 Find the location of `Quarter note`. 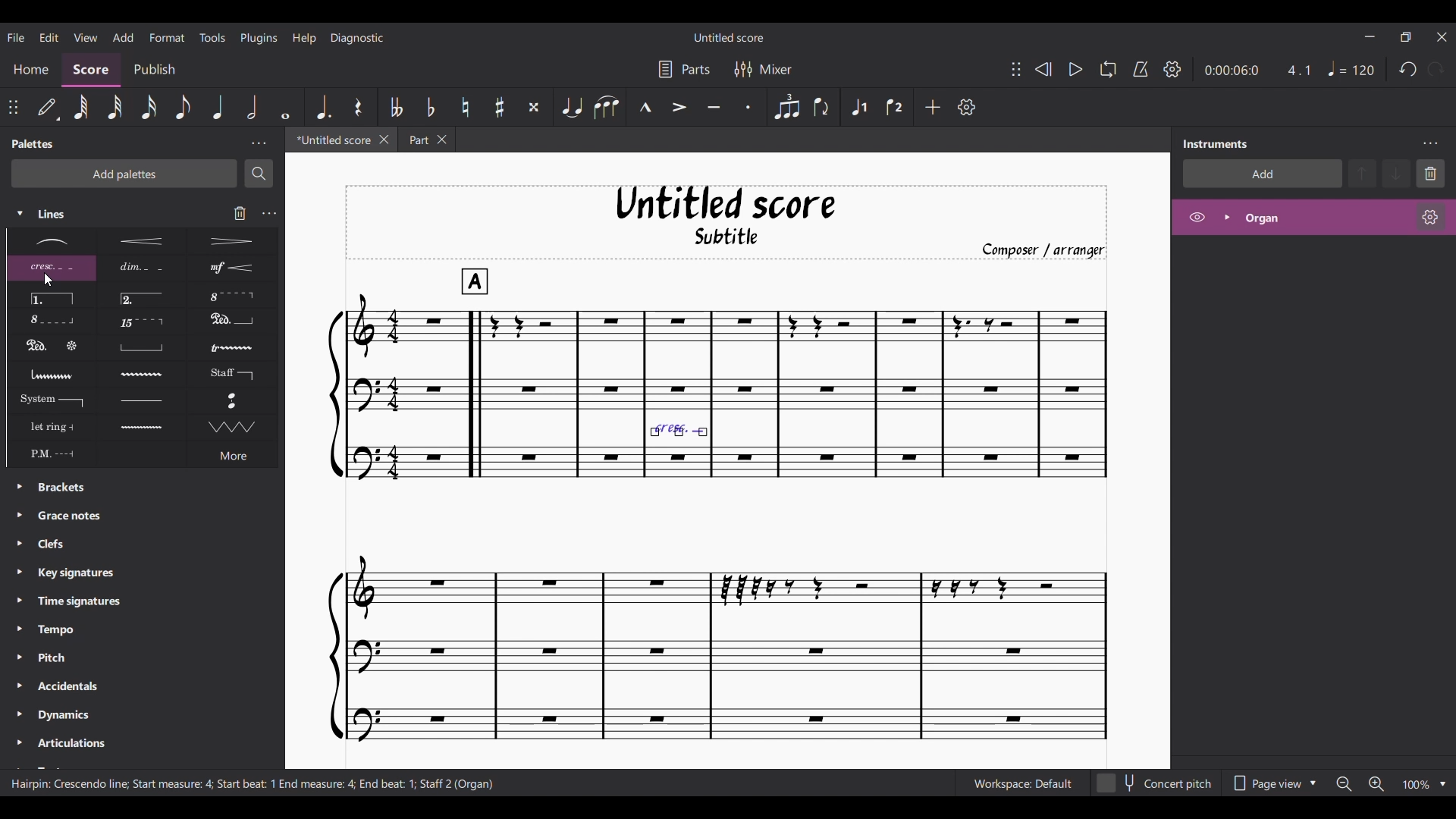

Quarter note is located at coordinates (217, 106).